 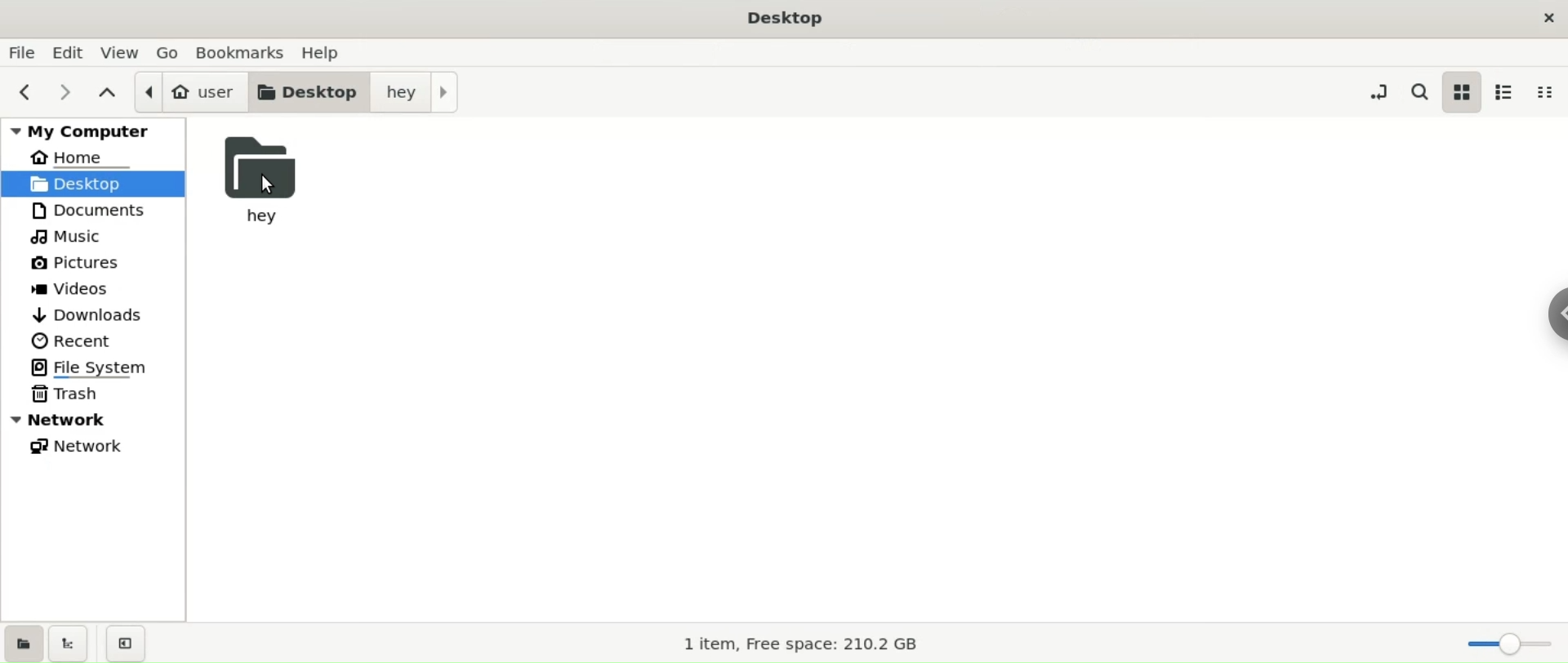 What do you see at coordinates (92, 419) in the screenshot?
I see `network` at bounding box center [92, 419].